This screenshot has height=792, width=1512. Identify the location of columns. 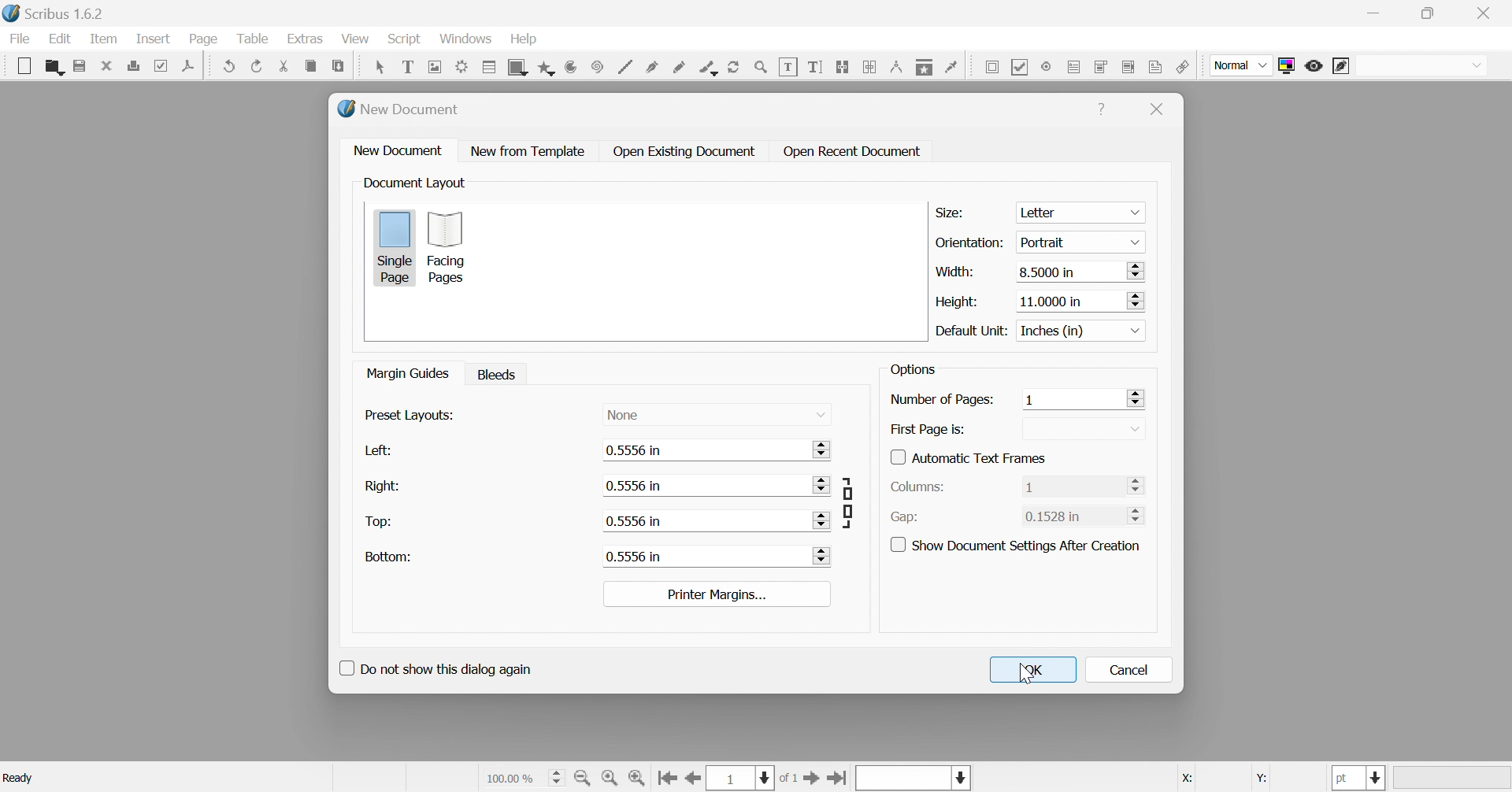
(911, 486).